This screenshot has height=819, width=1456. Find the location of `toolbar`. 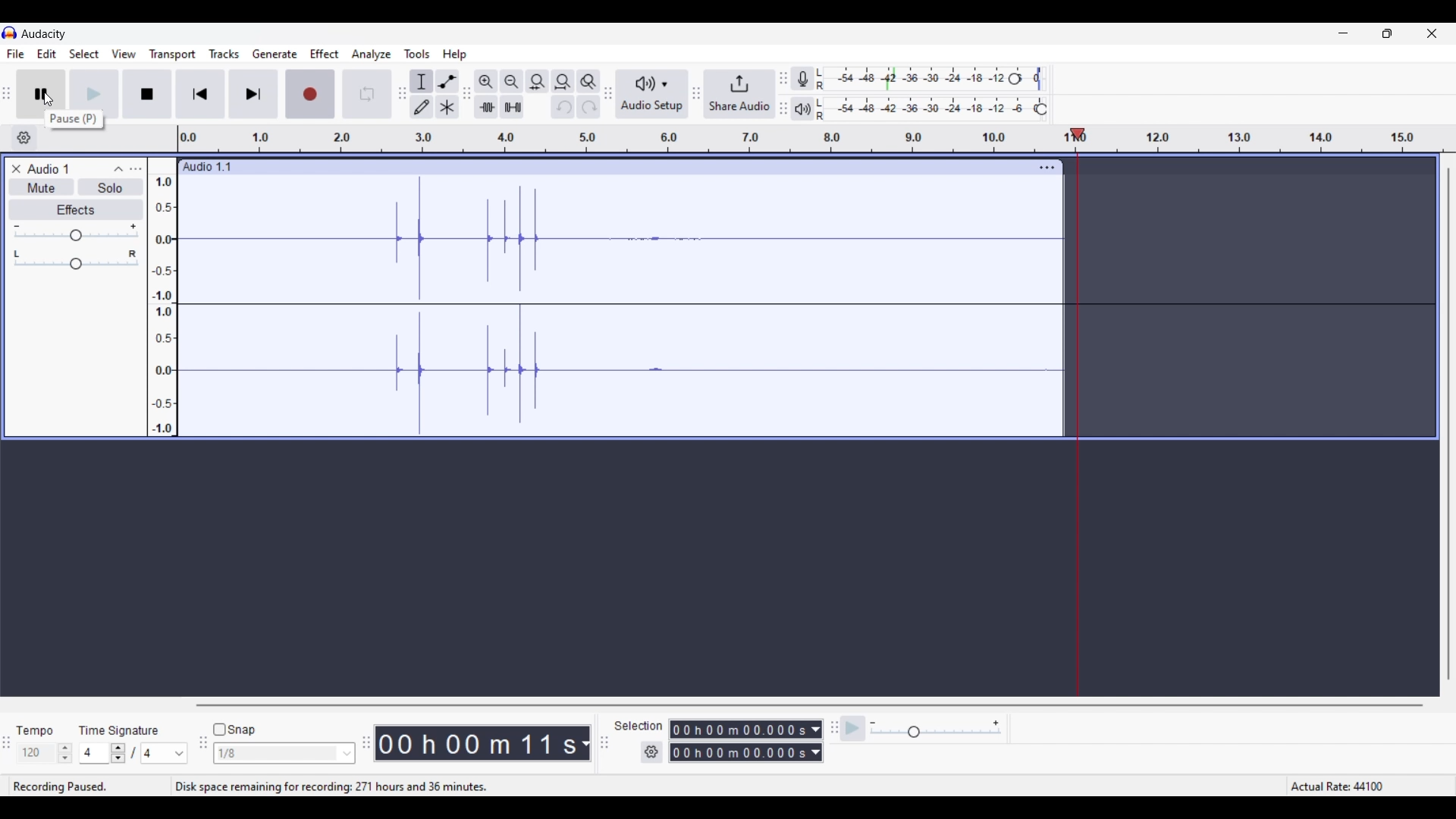

toolbar is located at coordinates (697, 93).